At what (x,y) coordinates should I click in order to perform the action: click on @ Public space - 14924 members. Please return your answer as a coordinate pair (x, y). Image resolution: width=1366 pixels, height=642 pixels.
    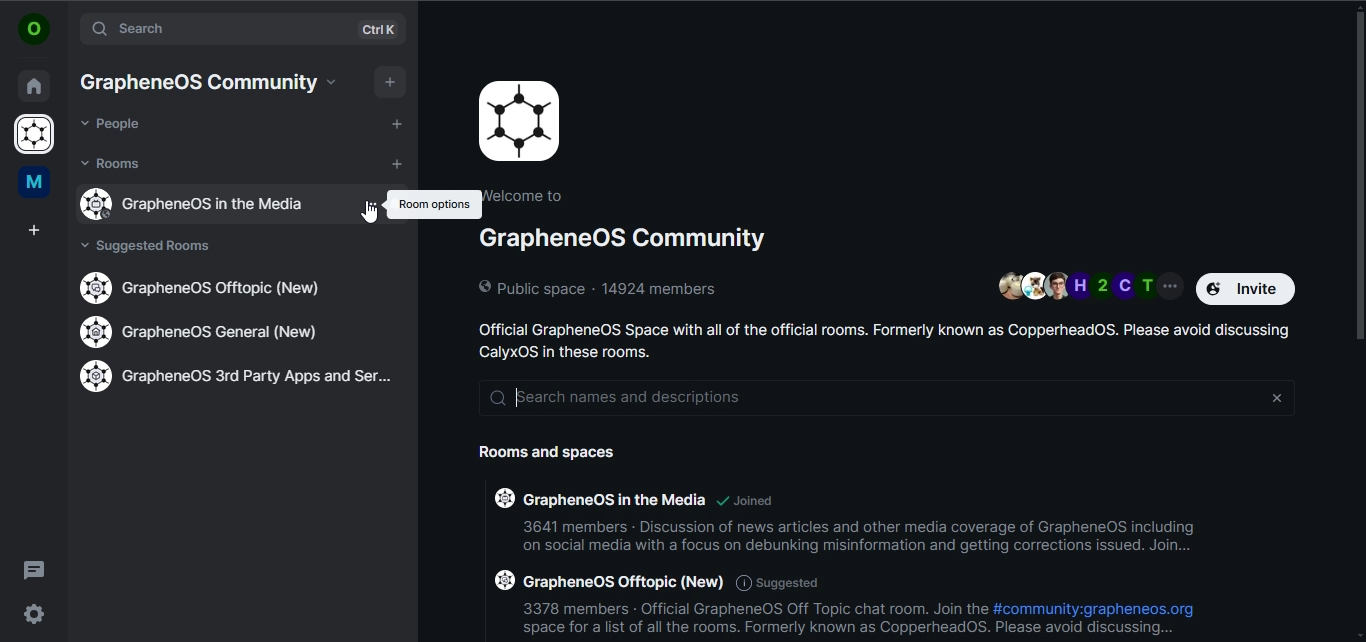
    Looking at the image, I should click on (602, 288).